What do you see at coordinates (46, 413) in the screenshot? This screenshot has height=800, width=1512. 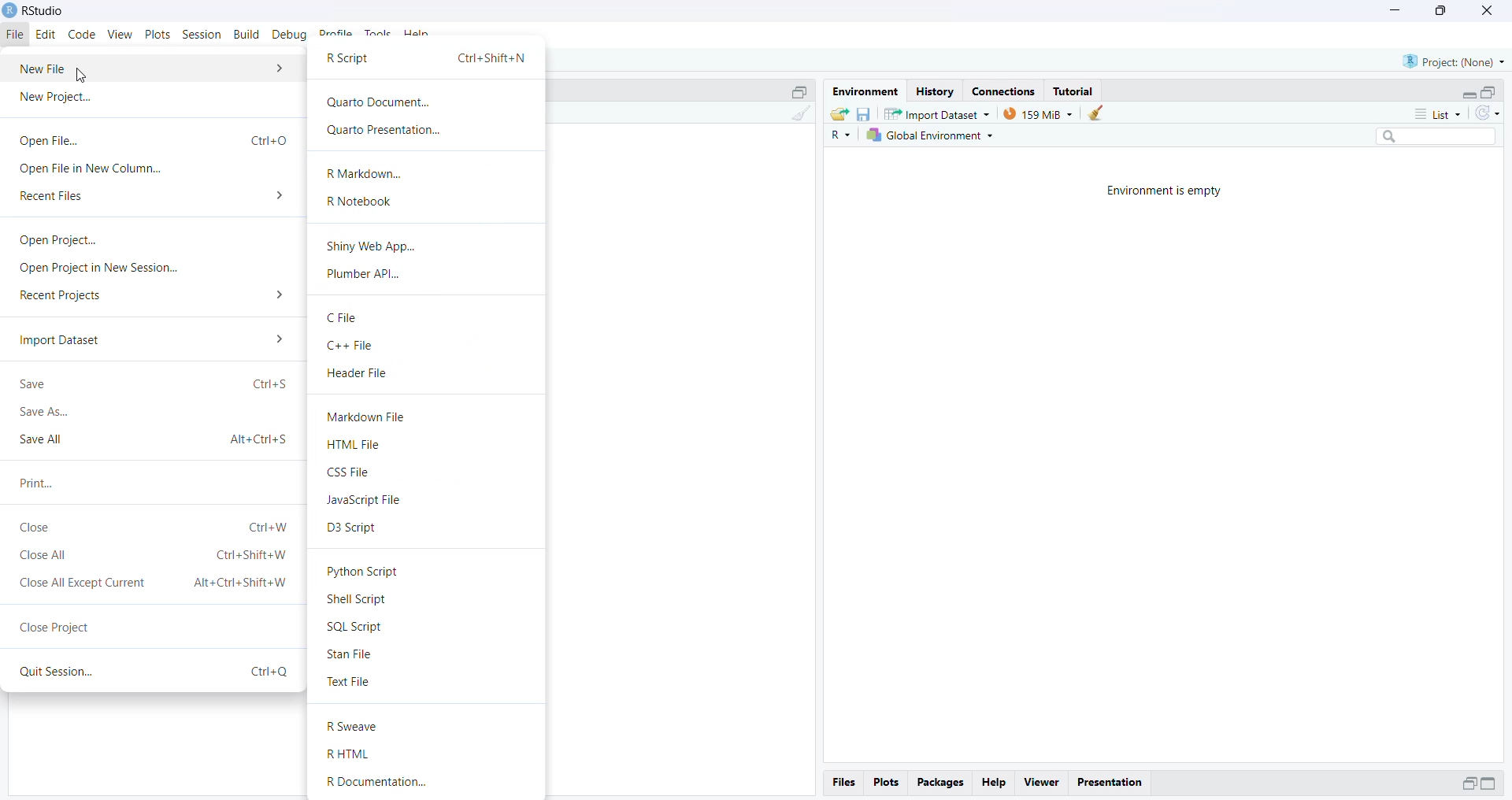 I see `Save As...` at bounding box center [46, 413].